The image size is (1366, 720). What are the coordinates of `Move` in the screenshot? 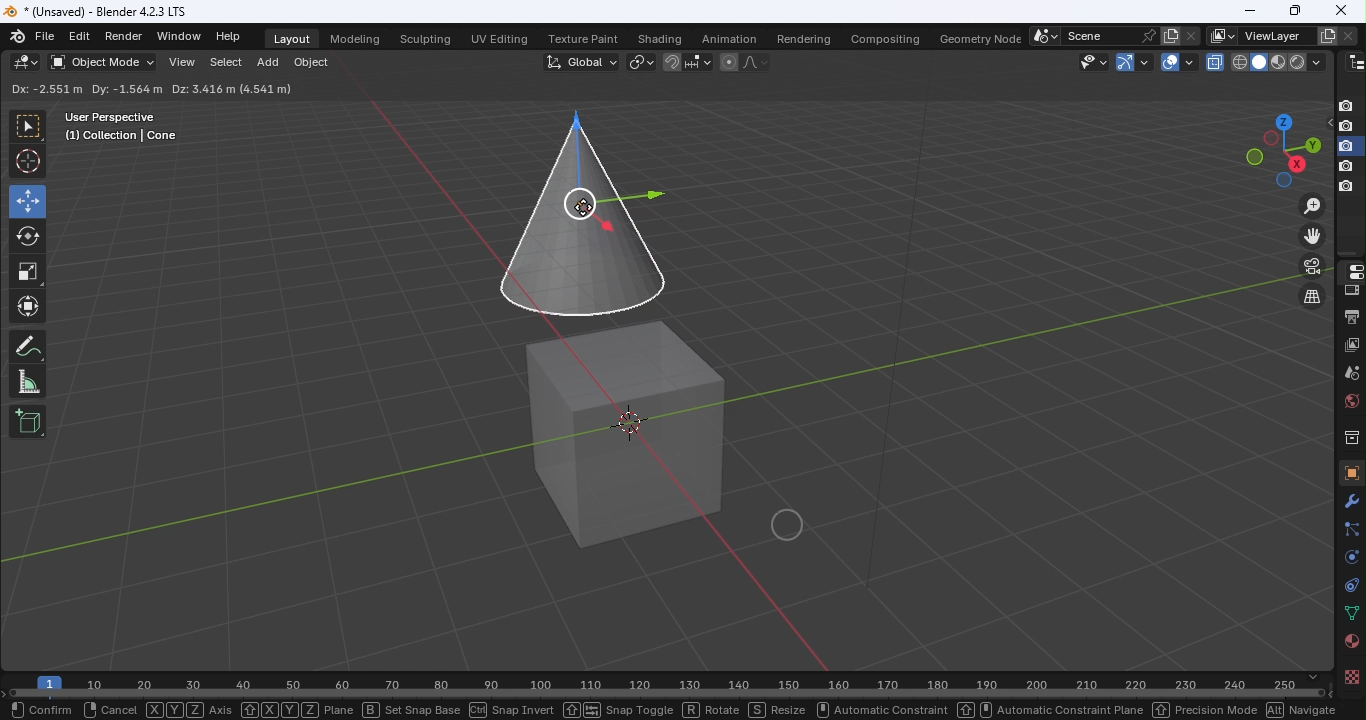 It's located at (27, 200).